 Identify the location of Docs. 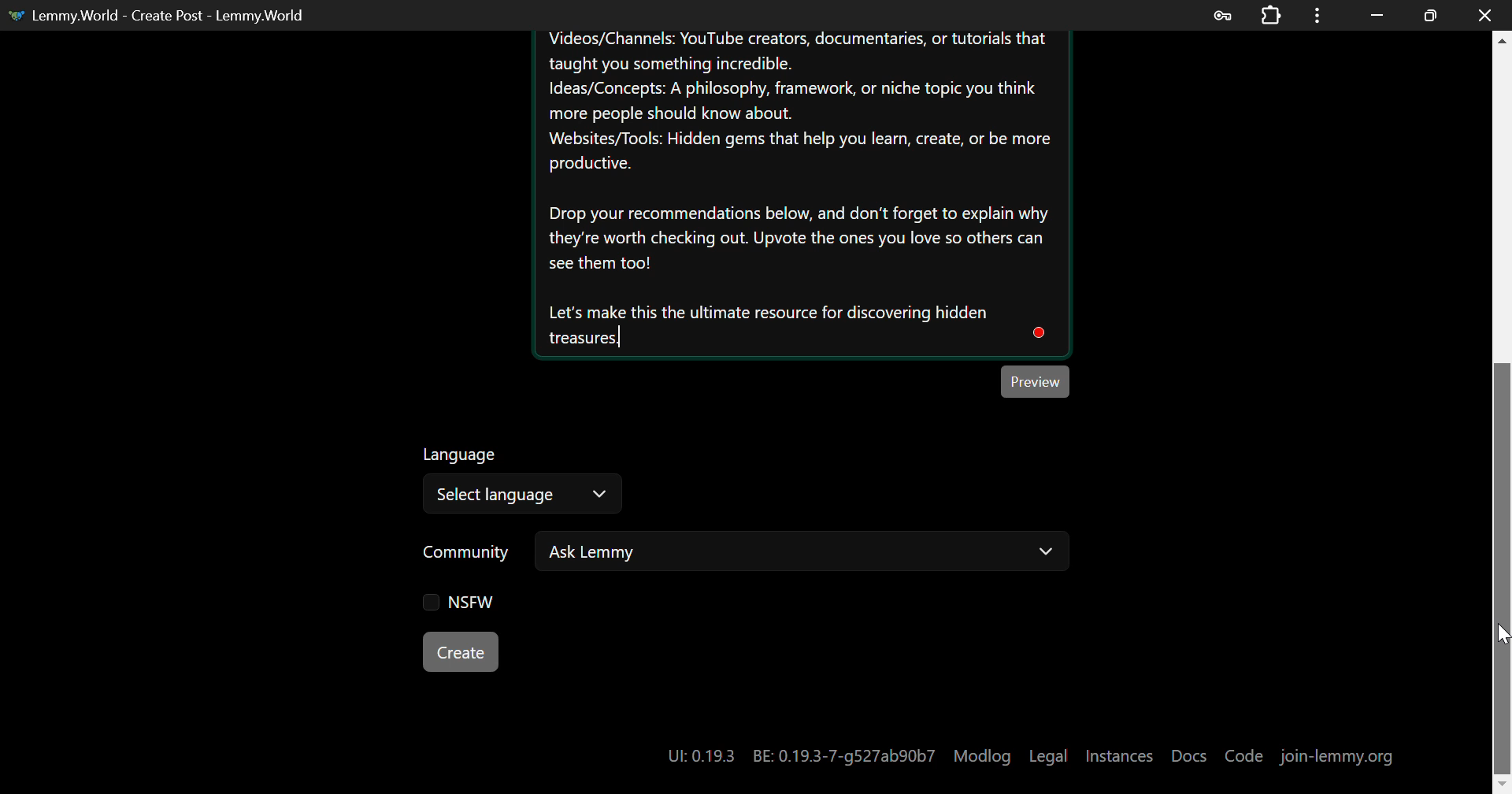
(1190, 755).